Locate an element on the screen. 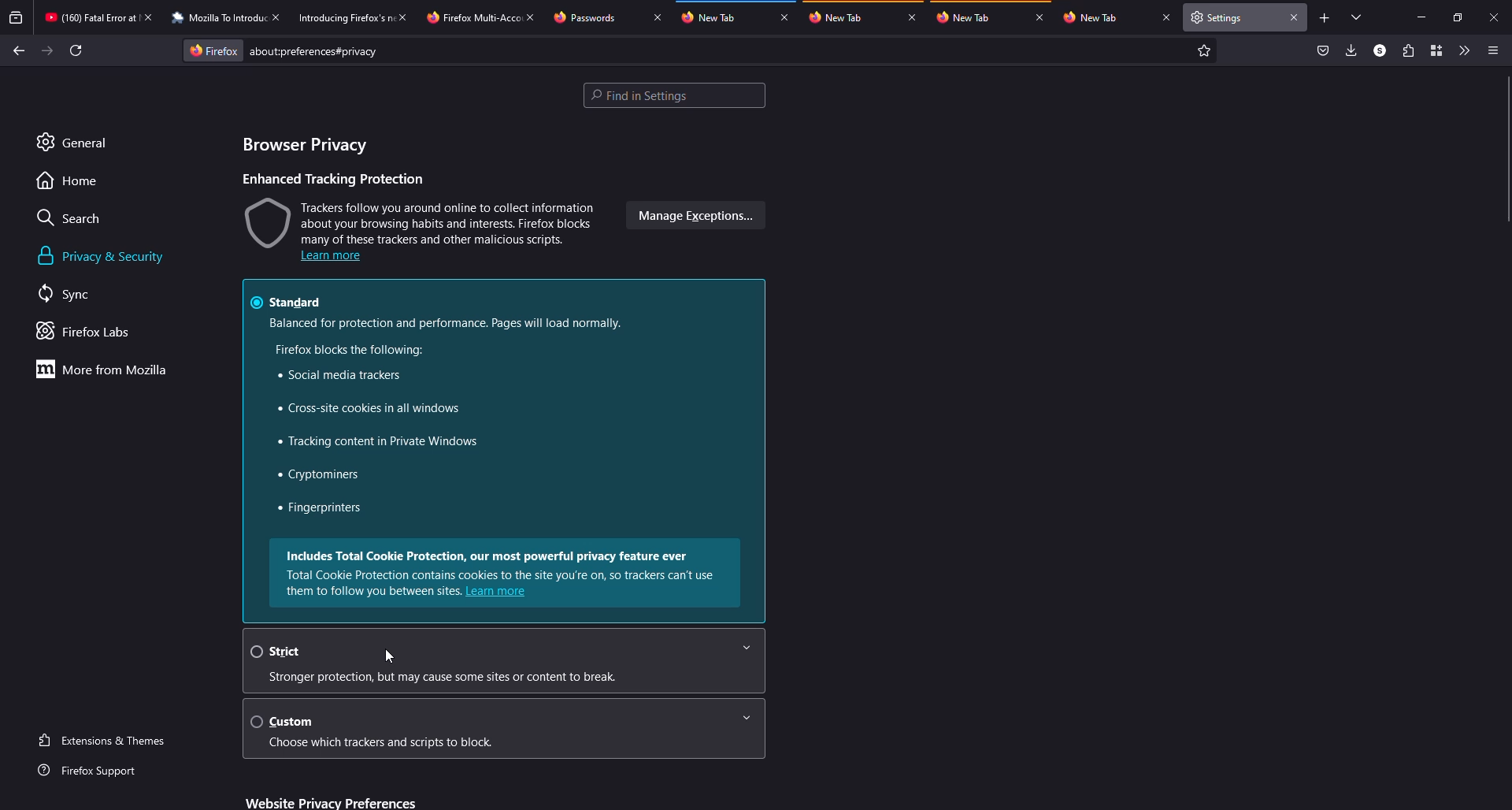 This screenshot has width=1512, height=810. close is located at coordinates (785, 18).